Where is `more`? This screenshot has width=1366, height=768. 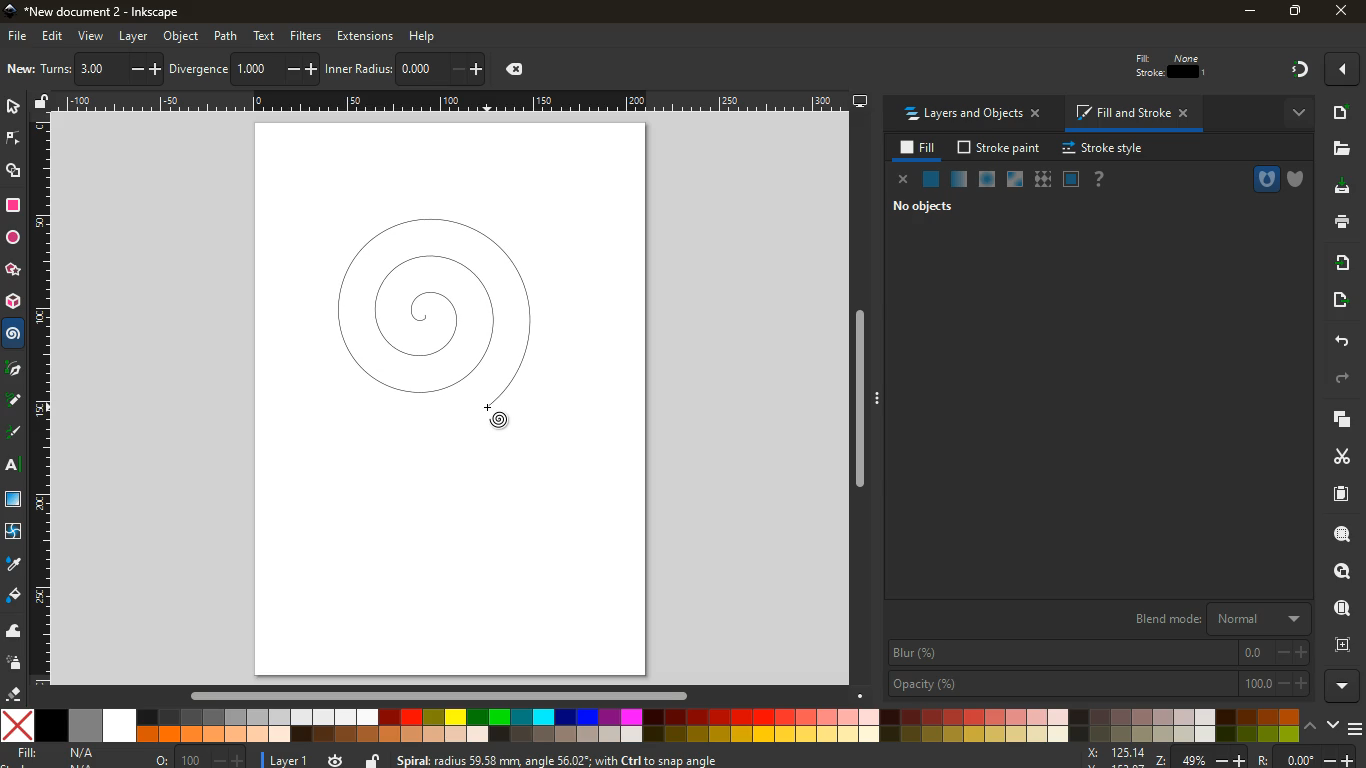 more is located at coordinates (1294, 115).